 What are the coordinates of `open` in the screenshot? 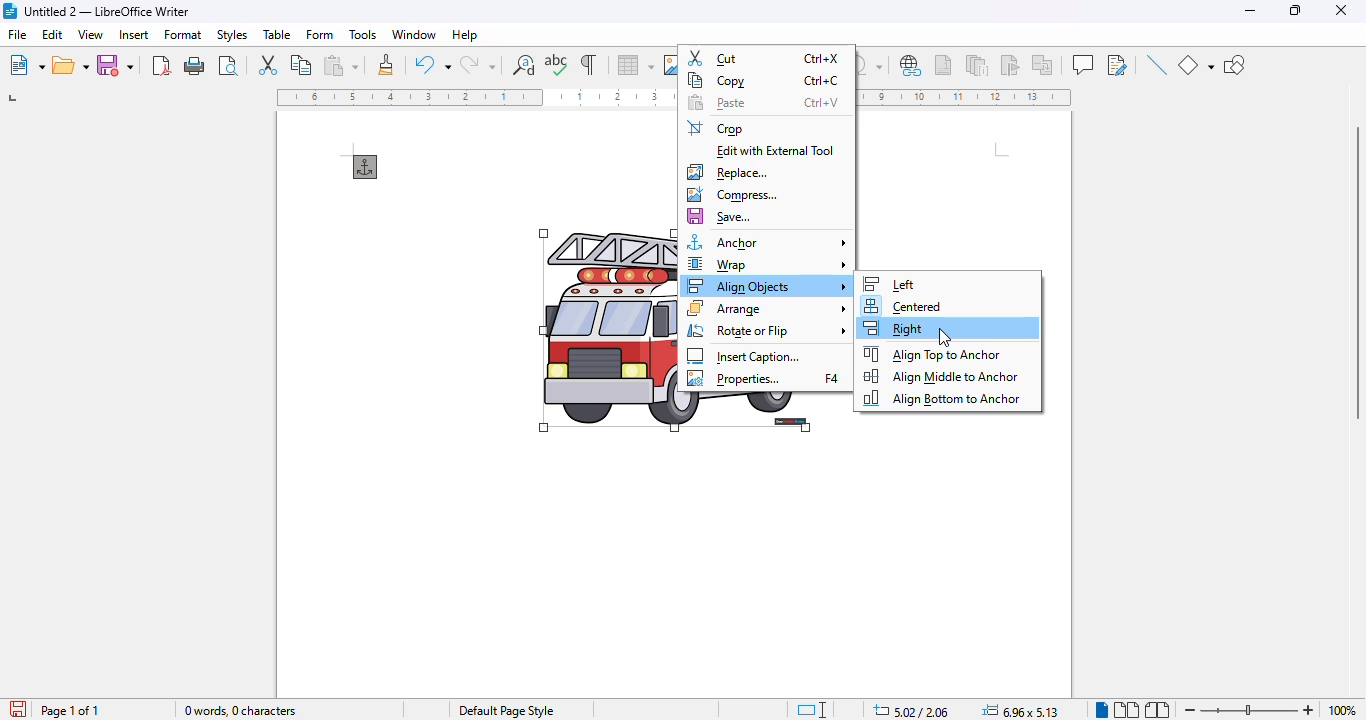 It's located at (71, 65).